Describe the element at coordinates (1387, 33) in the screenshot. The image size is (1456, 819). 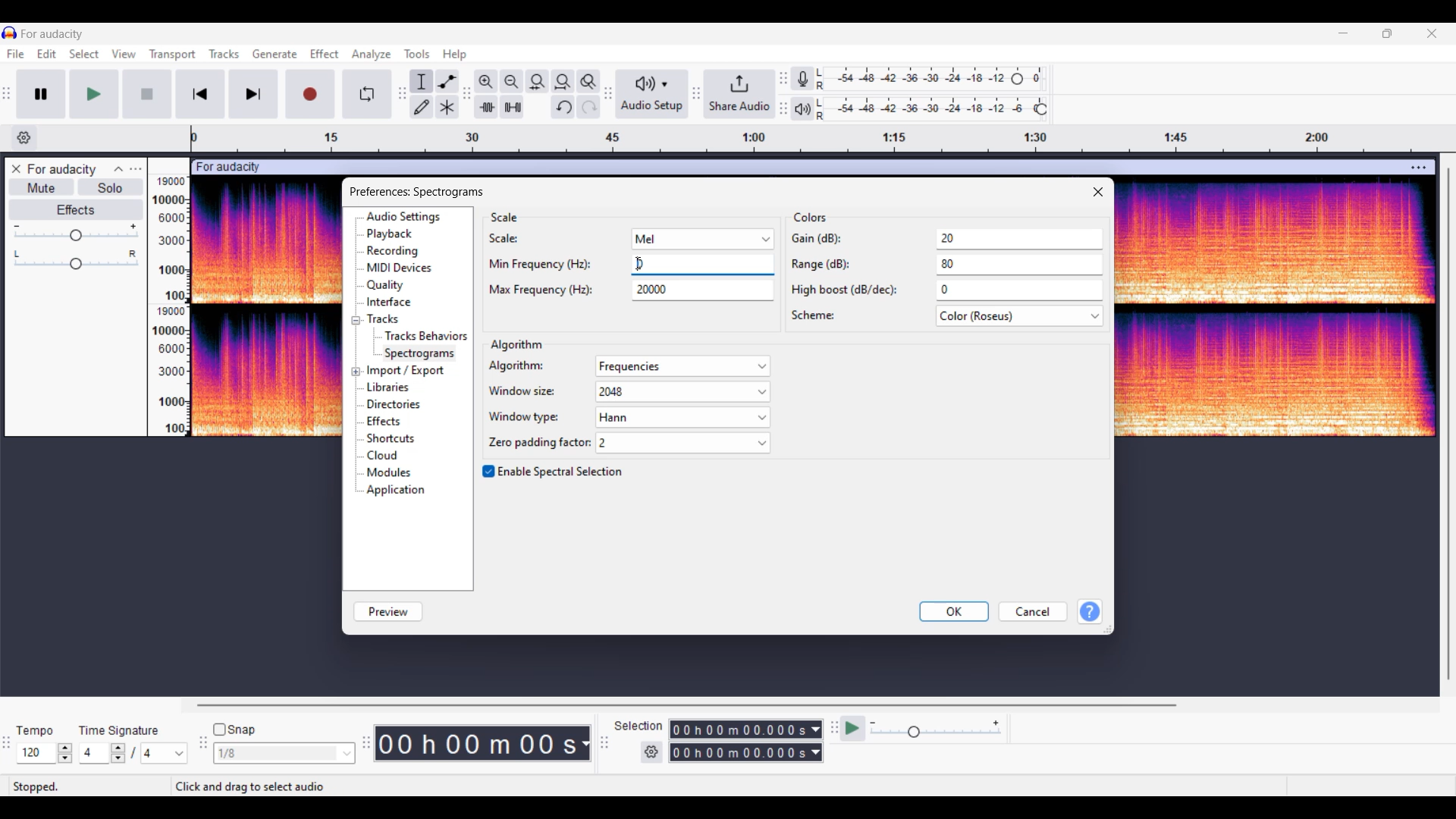
I see `Show in smaller tab` at that location.